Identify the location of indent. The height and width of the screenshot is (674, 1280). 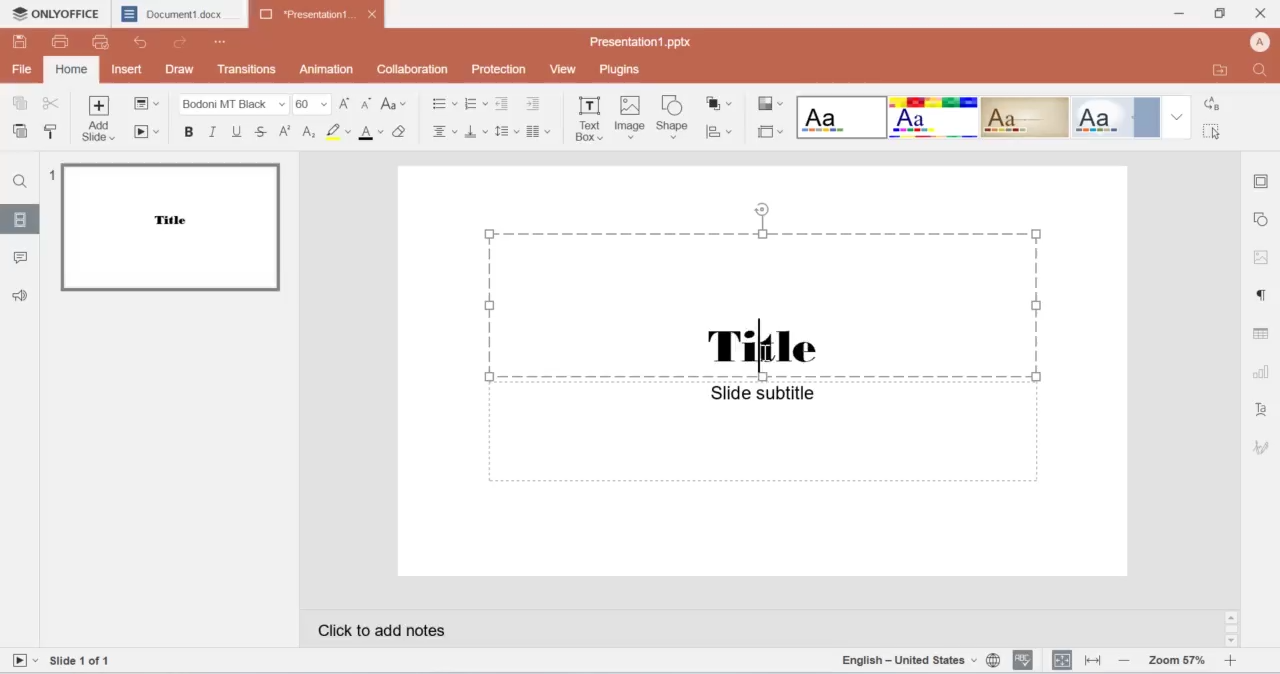
(504, 104).